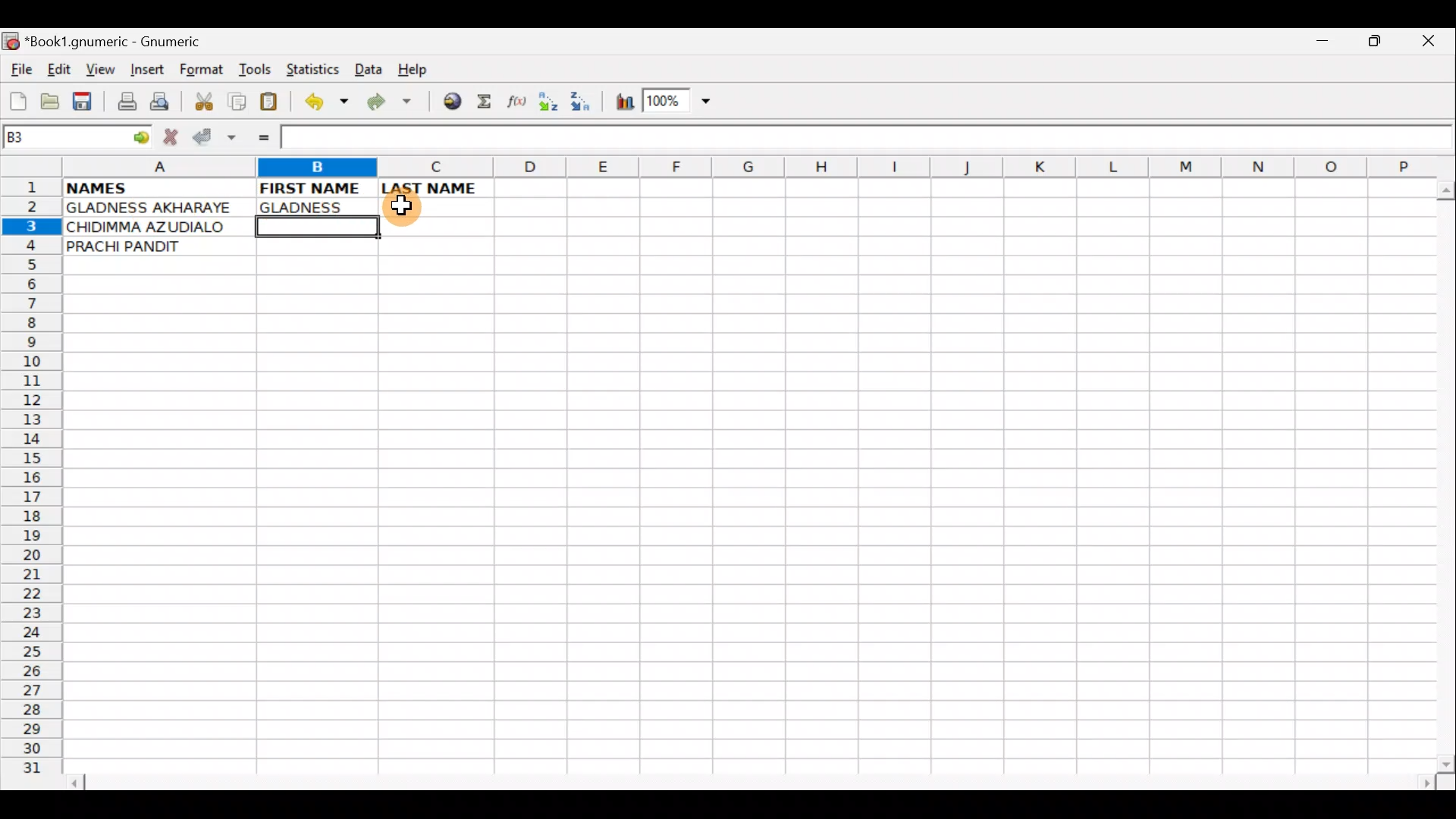  I want to click on Sort Ascending order, so click(553, 105).